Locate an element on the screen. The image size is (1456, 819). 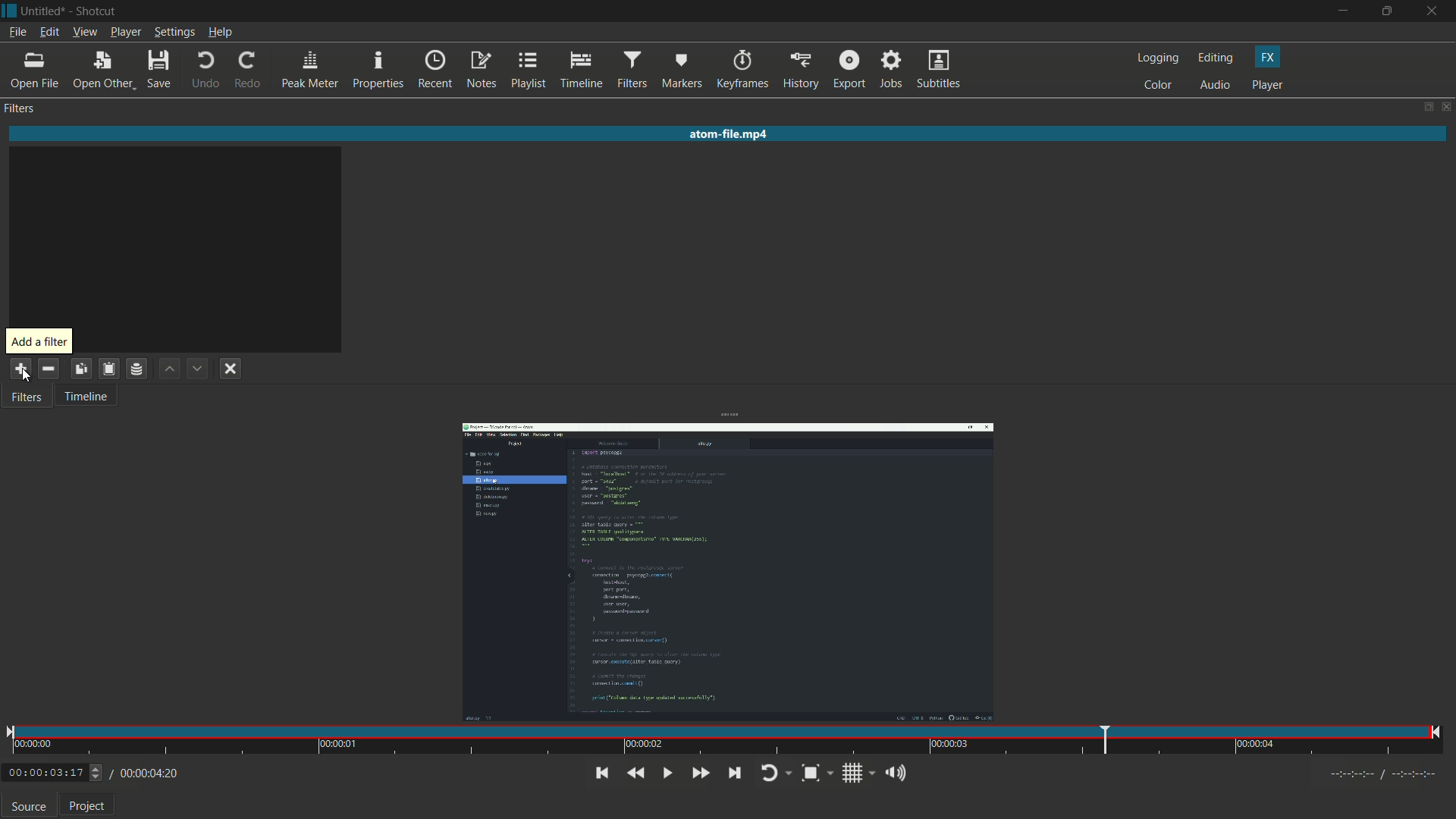
playlist is located at coordinates (527, 71).